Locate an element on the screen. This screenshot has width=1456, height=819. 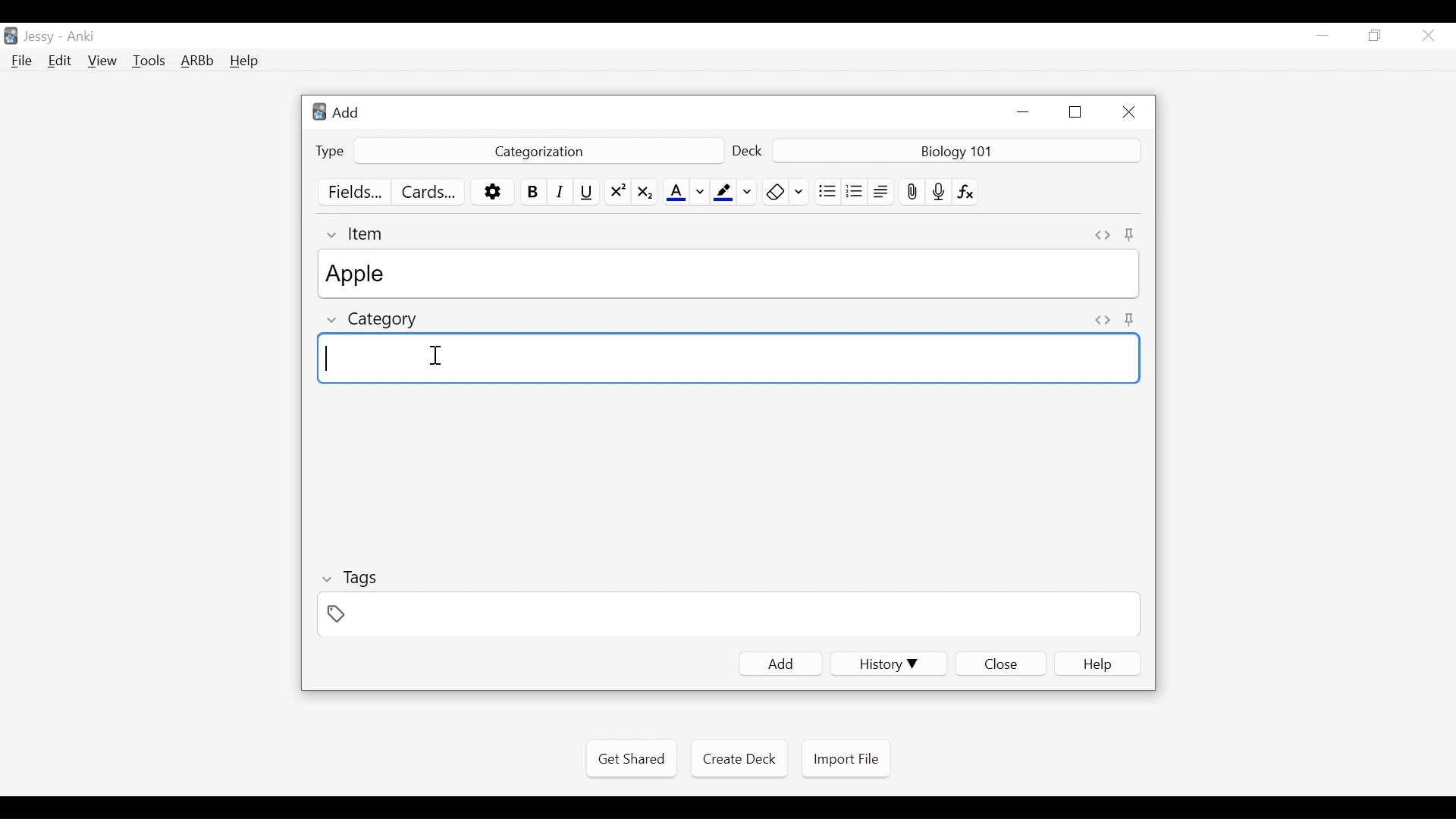
Toggle HTML Editor is located at coordinates (1103, 322).